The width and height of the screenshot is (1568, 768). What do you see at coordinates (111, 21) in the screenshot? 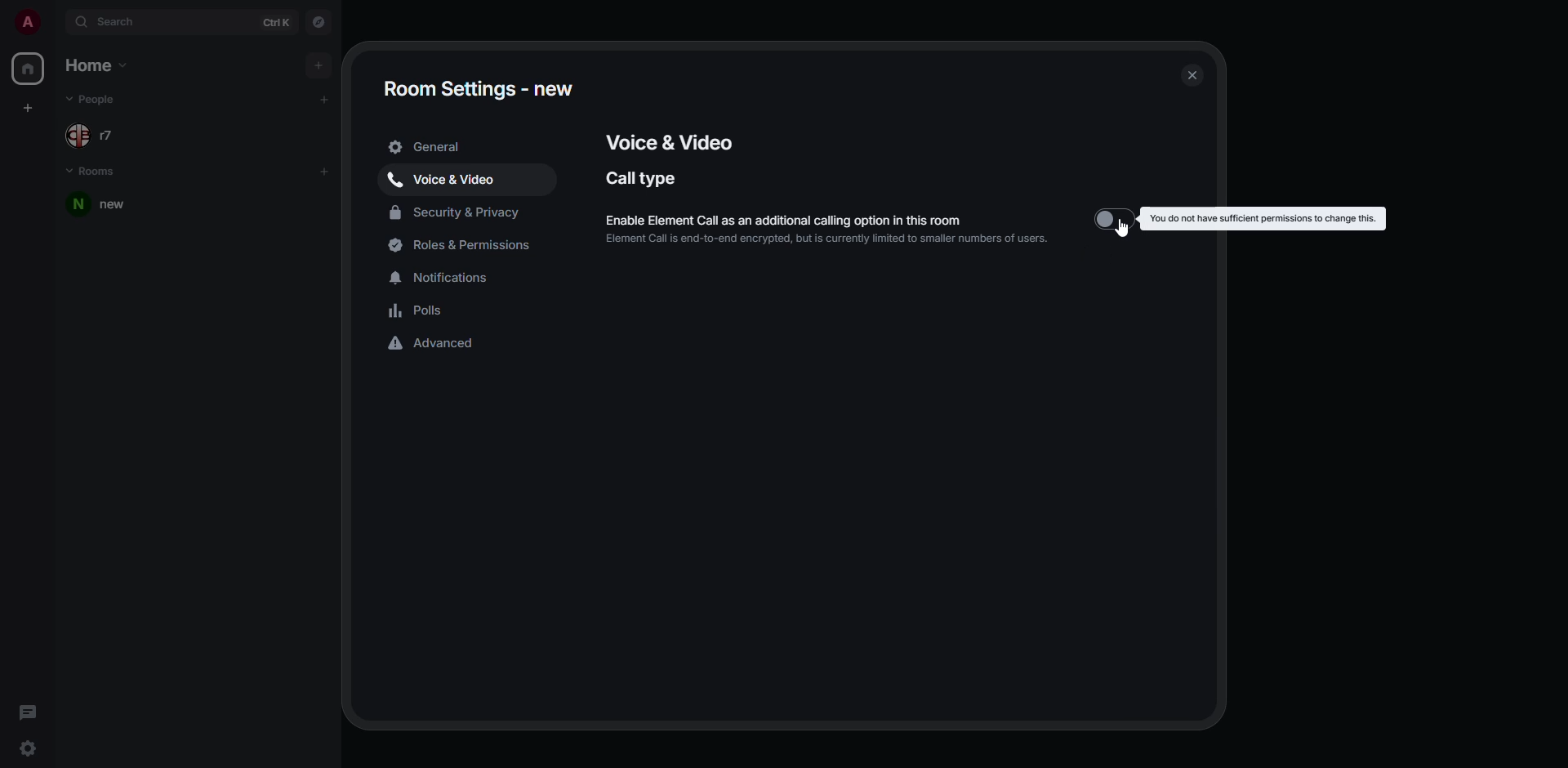
I see `search` at bounding box center [111, 21].